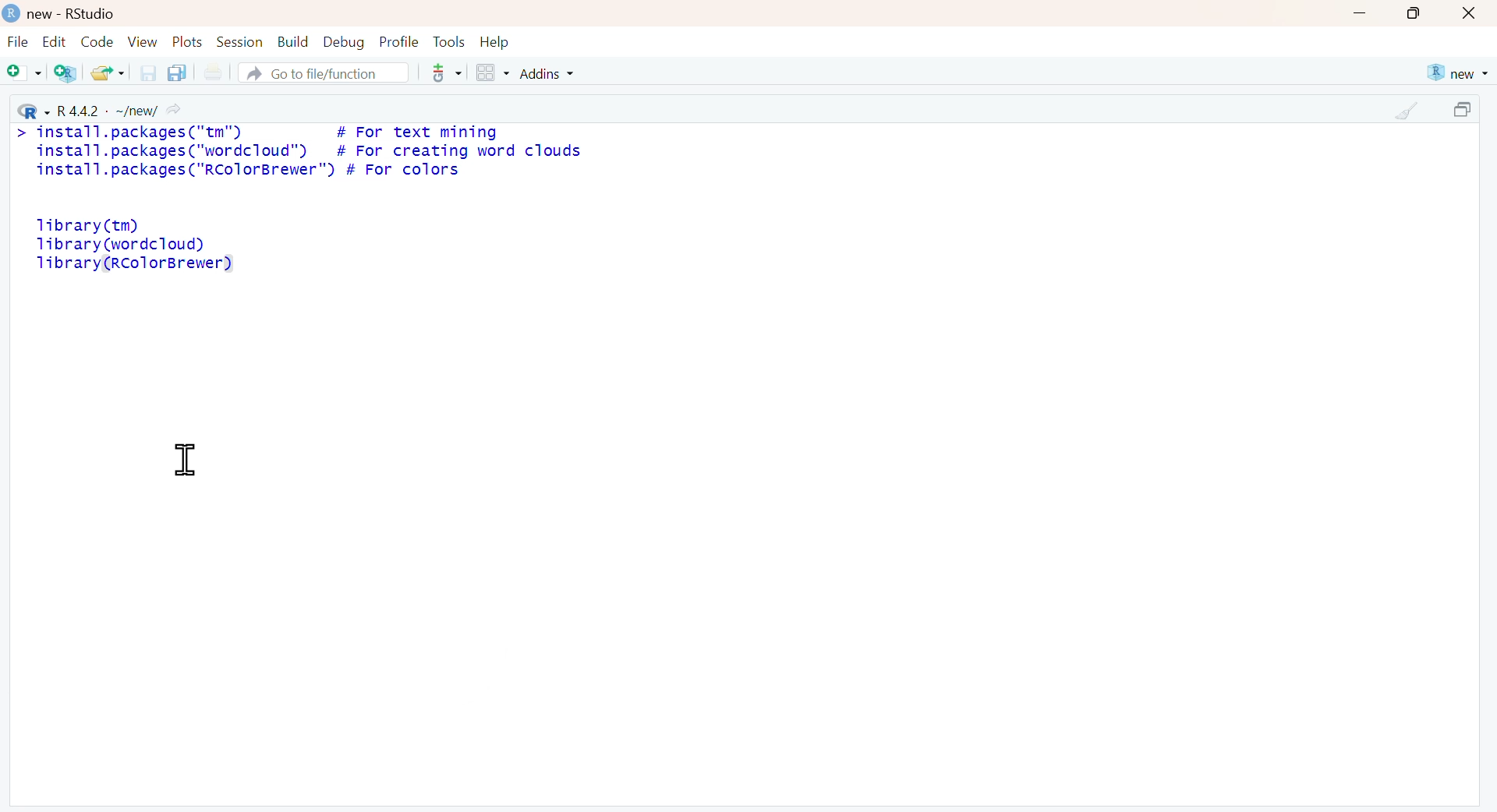 The height and width of the screenshot is (812, 1497). What do you see at coordinates (491, 73) in the screenshot?
I see `Workspace panes` at bounding box center [491, 73].